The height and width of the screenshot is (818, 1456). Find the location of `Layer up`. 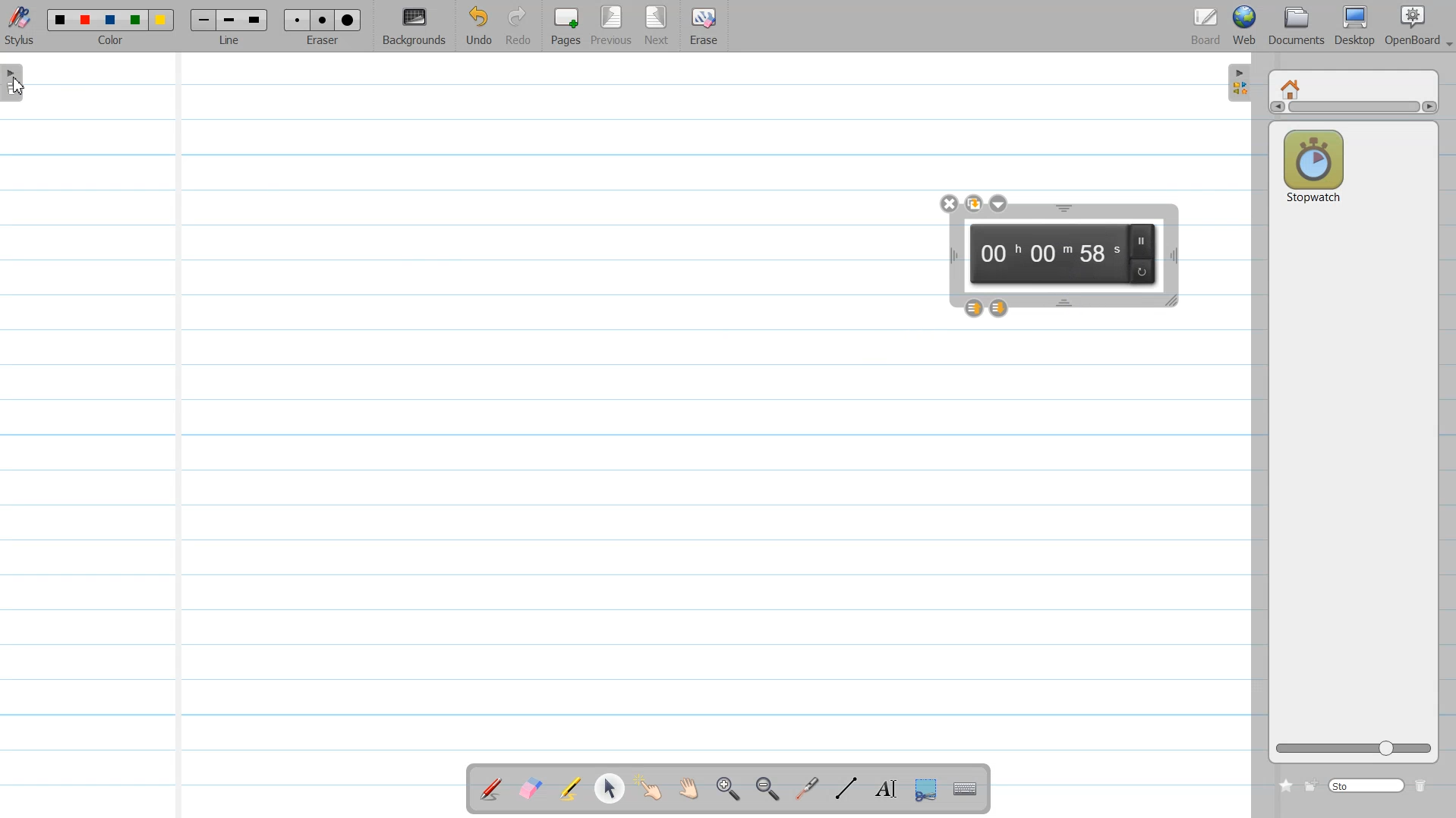

Layer up is located at coordinates (973, 308).